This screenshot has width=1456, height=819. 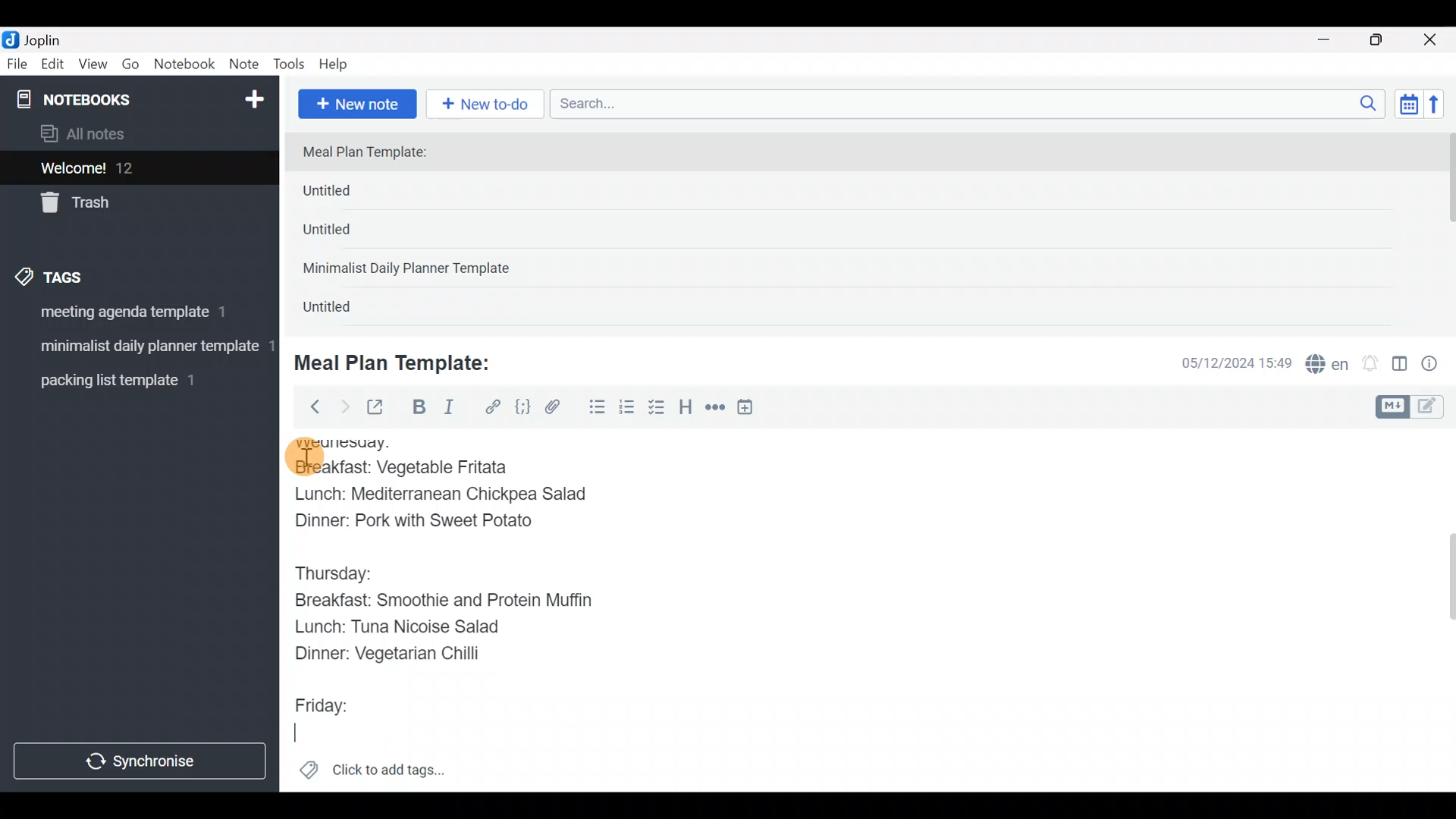 I want to click on scroll bar, so click(x=1446, y=229).